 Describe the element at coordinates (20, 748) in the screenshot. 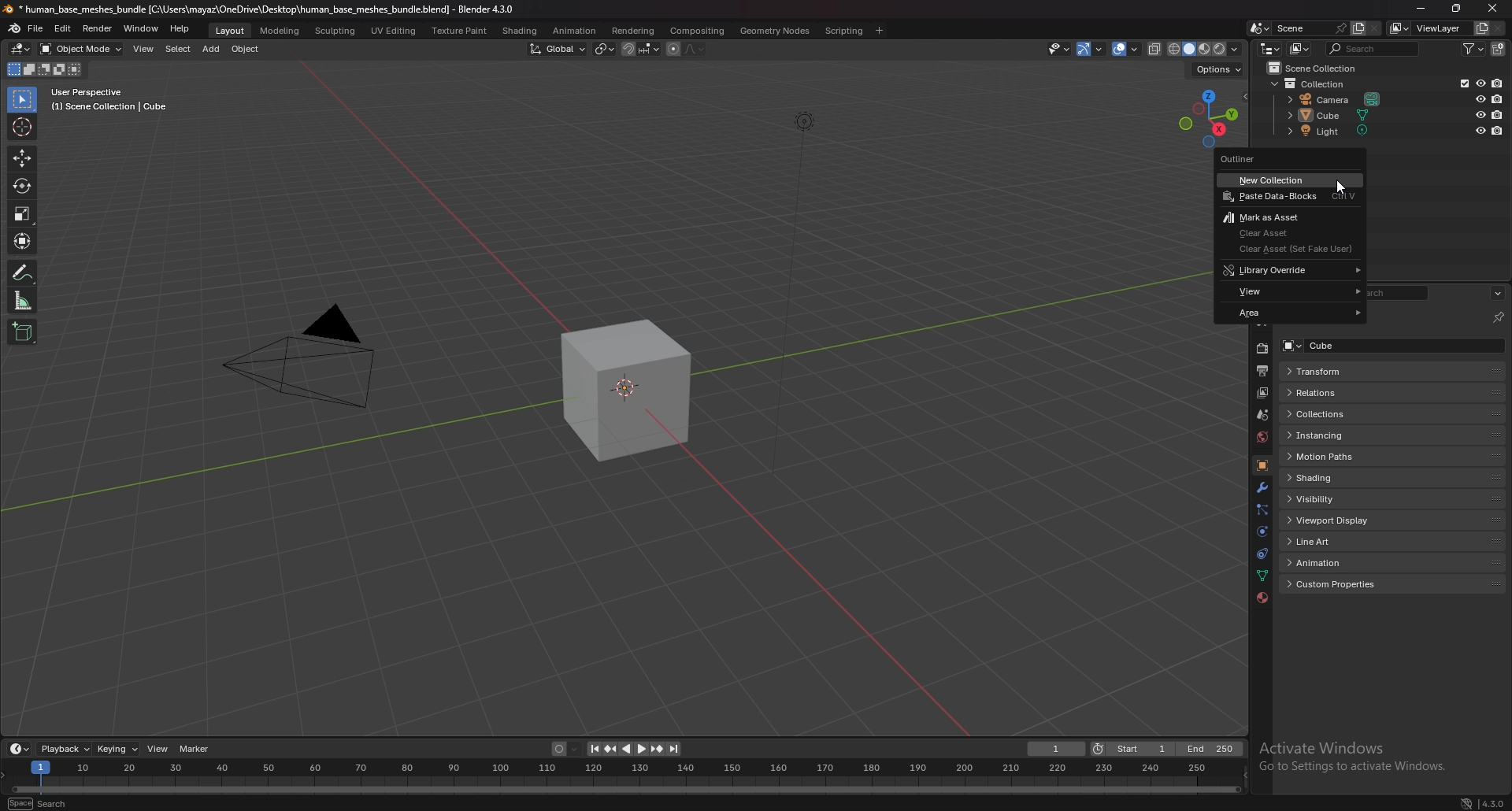

I see `editor type` at that location.